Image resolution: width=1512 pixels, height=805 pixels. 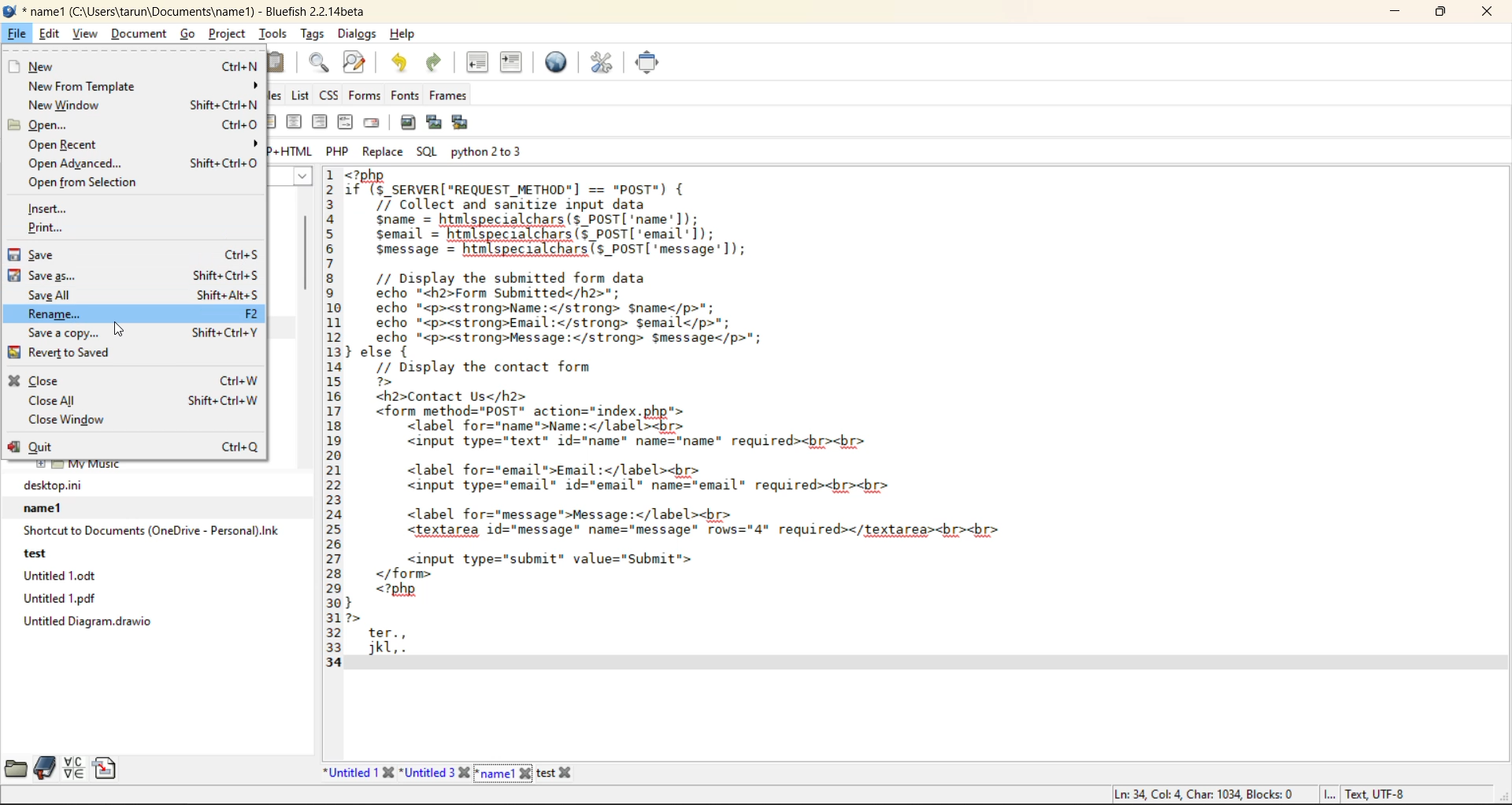 What do you see at coordinates (46, 768) in the screenshot?
I see `bookmarks` at bounding box center [46, 768].